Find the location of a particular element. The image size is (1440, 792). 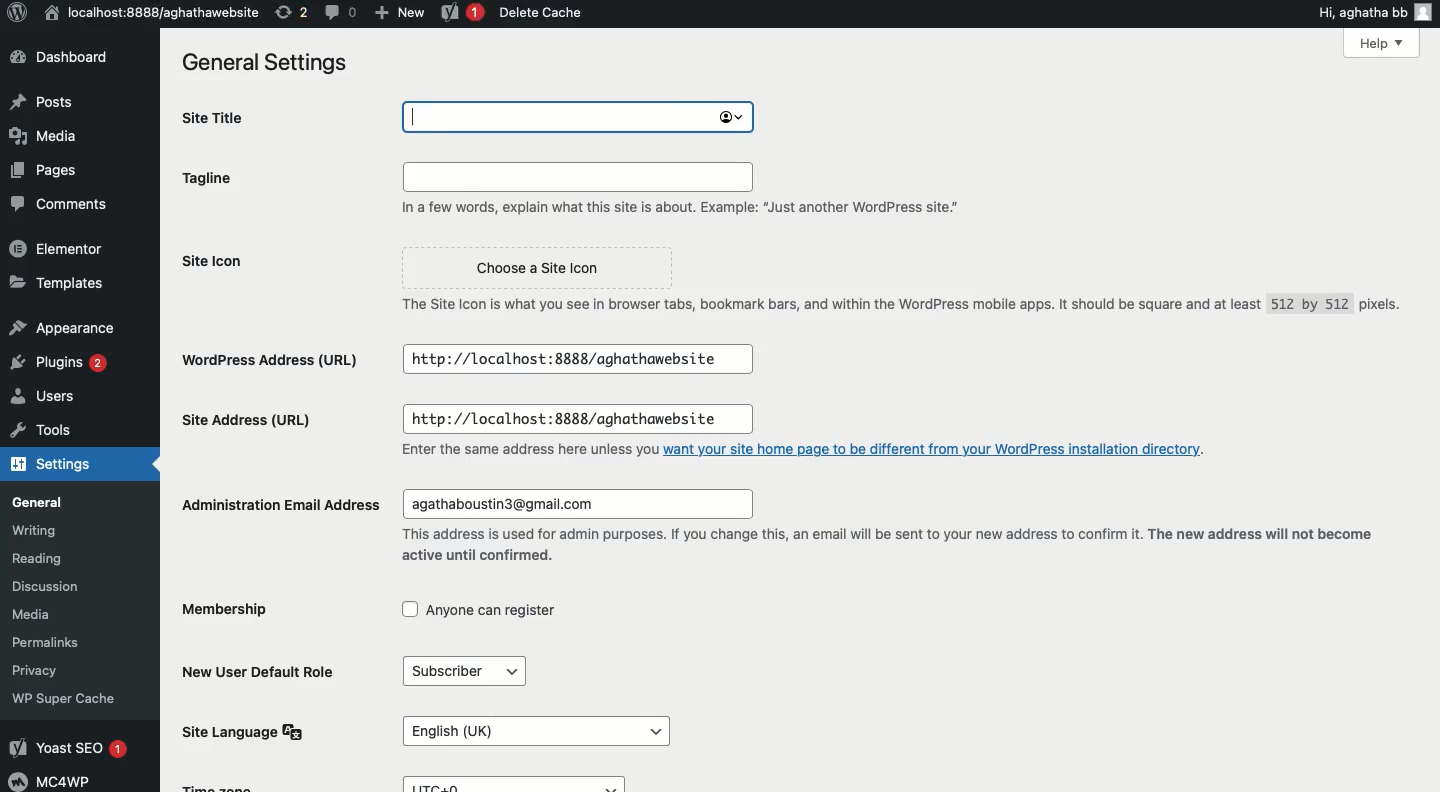

Reading is located at coordinates (38, 559).